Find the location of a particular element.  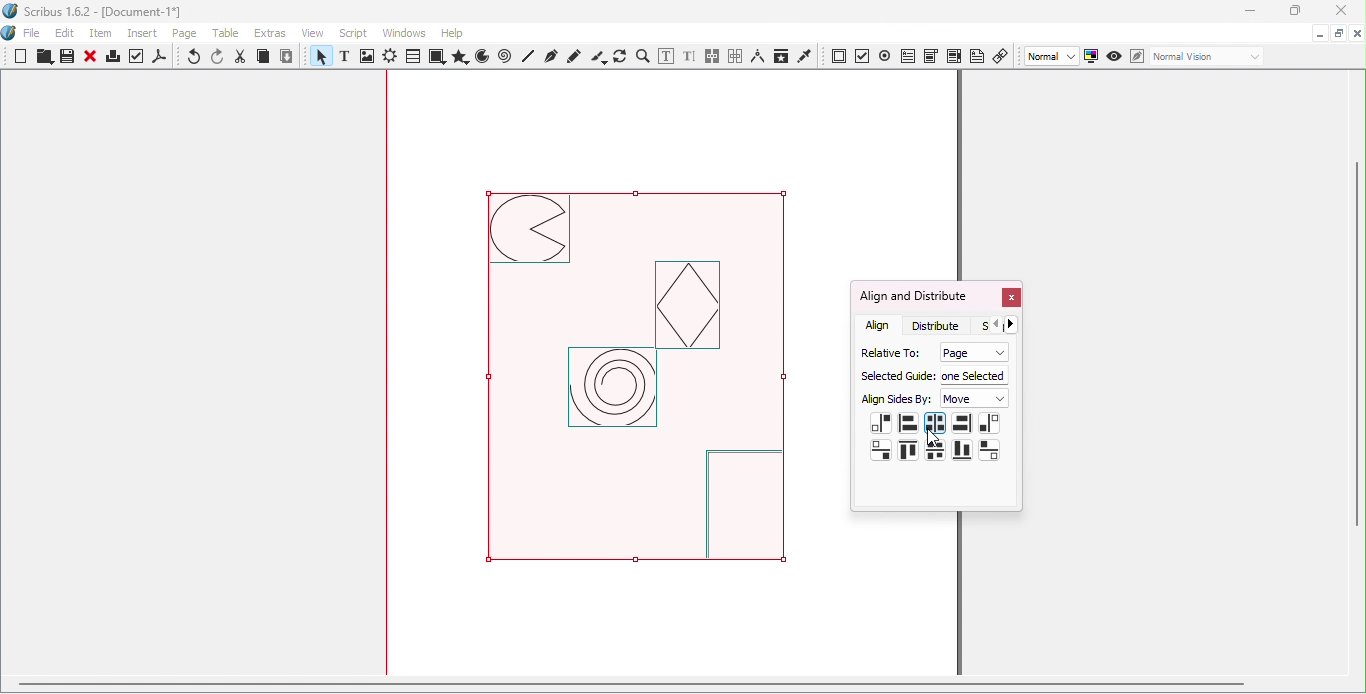

Paste is located at coordinates (287, 57).